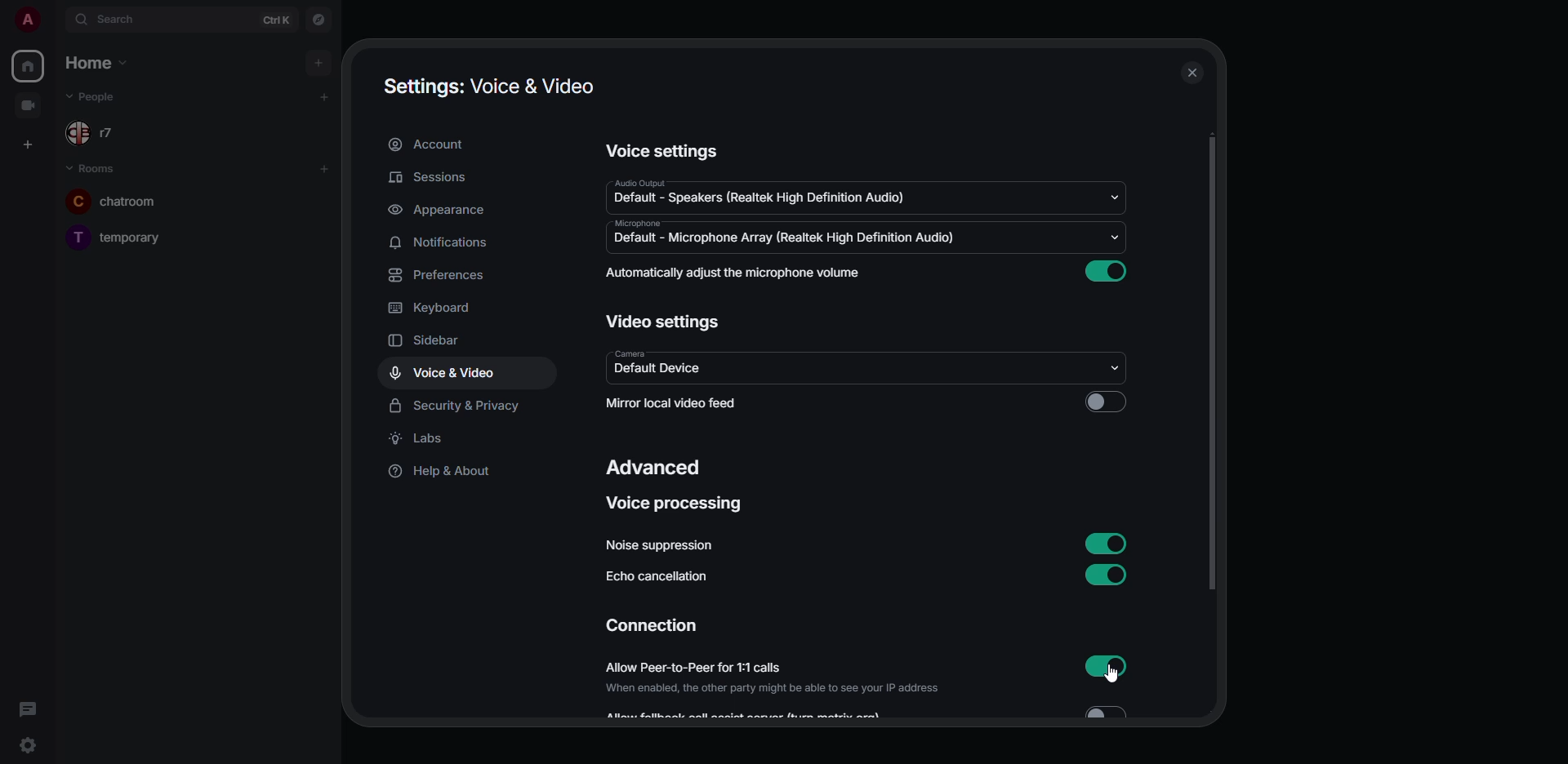 The image size is (1568, 764). What do you see at coordinates (658, 149) in the screenshot?
I see `voice settings` at bounding box center [658, 149].